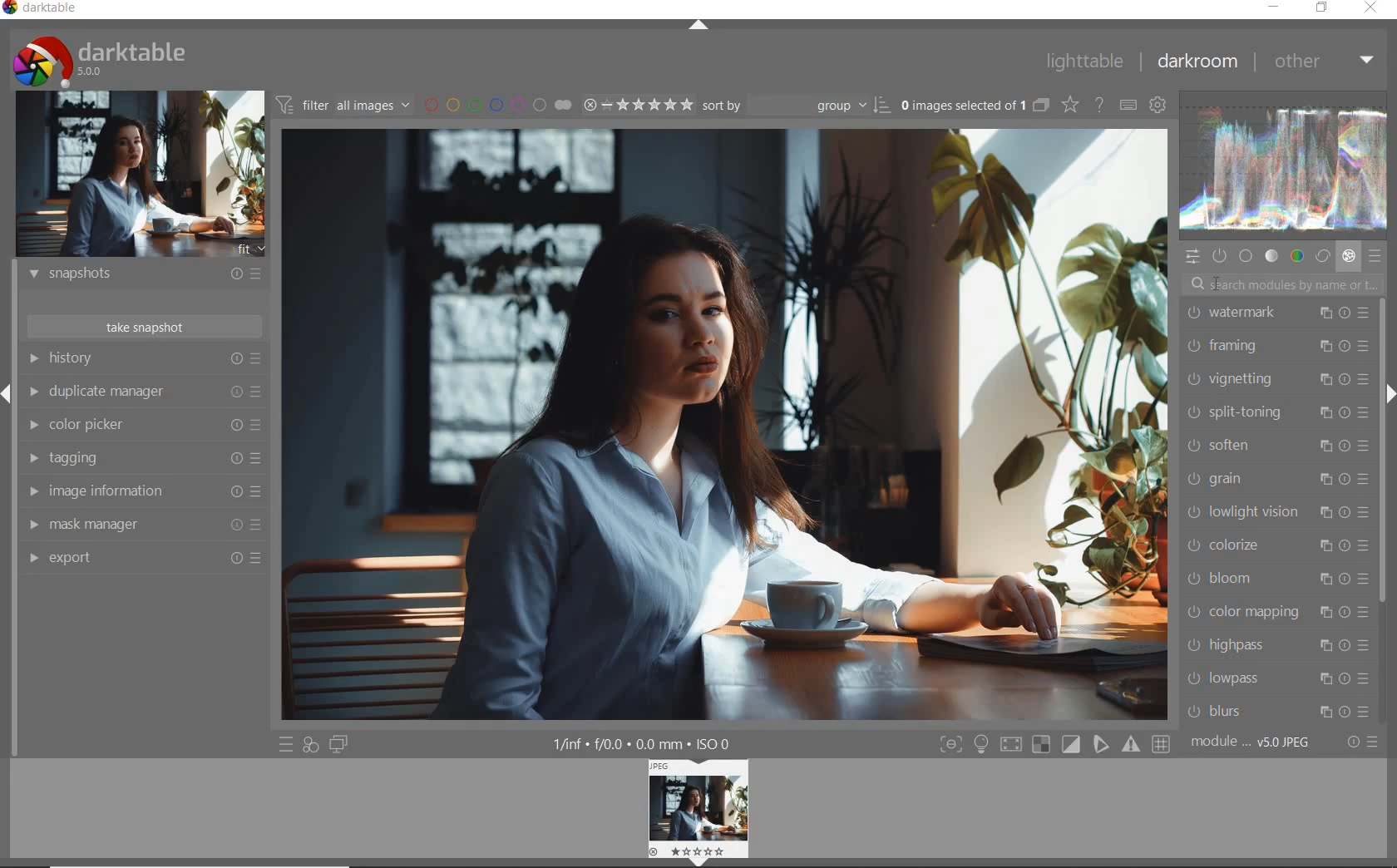  I want to click on filter images based on their modules, so click(343, 103).